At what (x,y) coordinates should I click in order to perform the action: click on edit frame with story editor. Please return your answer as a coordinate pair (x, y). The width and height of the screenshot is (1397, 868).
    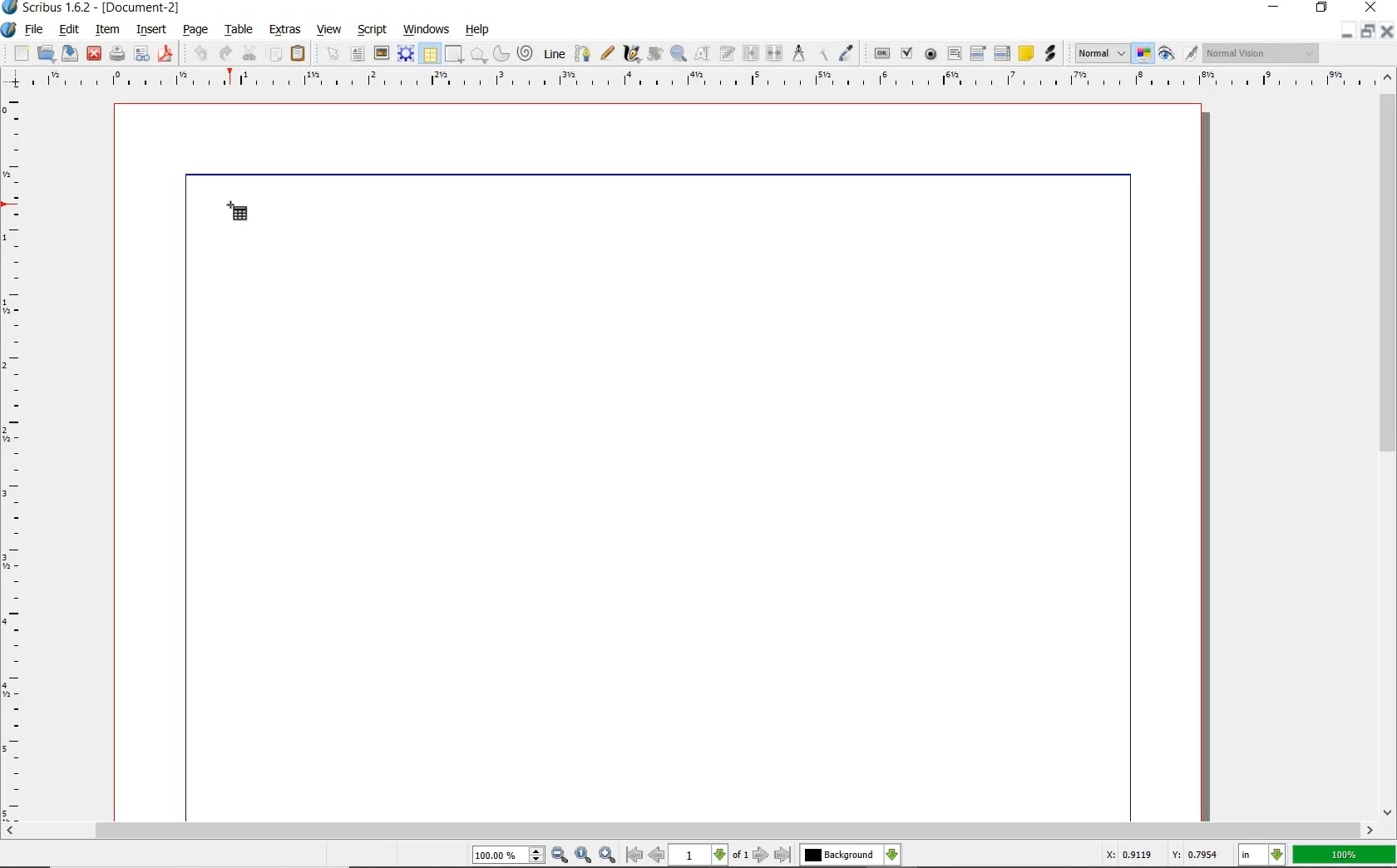
    Looking at the image, I should click on (725, 55).